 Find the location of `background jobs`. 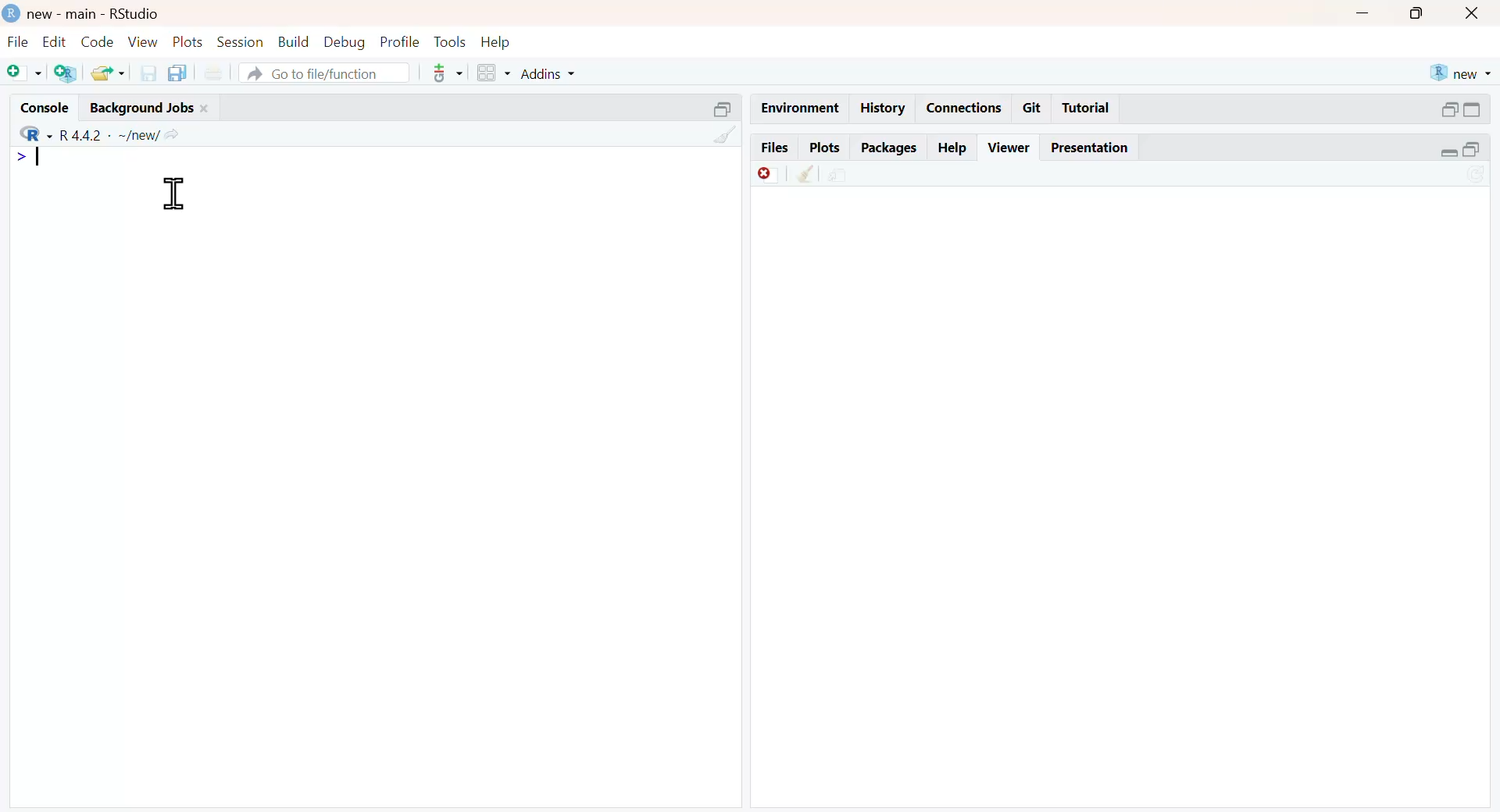

background jobs is located at coordinates (143, 109).